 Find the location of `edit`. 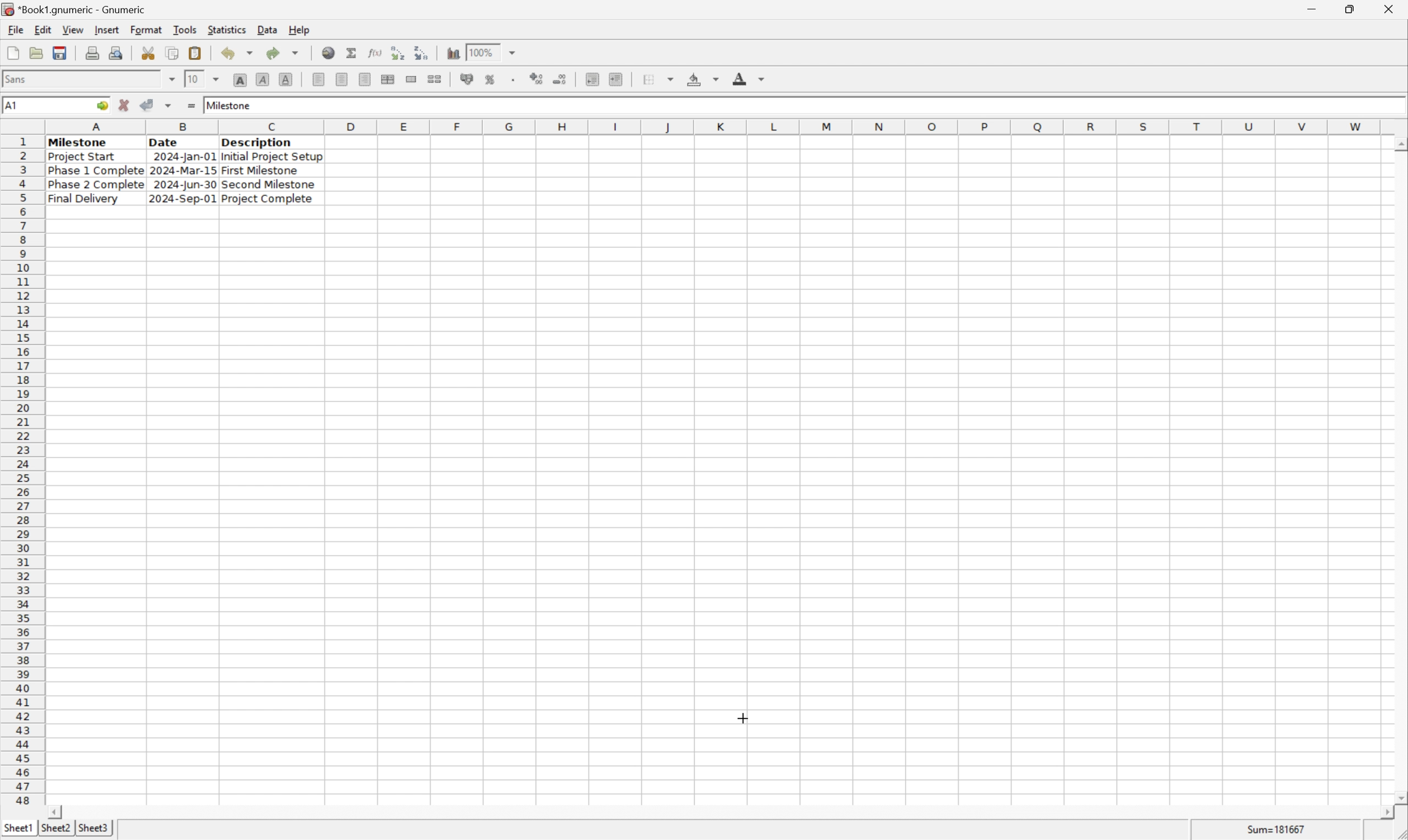

edit is located at coordinates (44, 29).